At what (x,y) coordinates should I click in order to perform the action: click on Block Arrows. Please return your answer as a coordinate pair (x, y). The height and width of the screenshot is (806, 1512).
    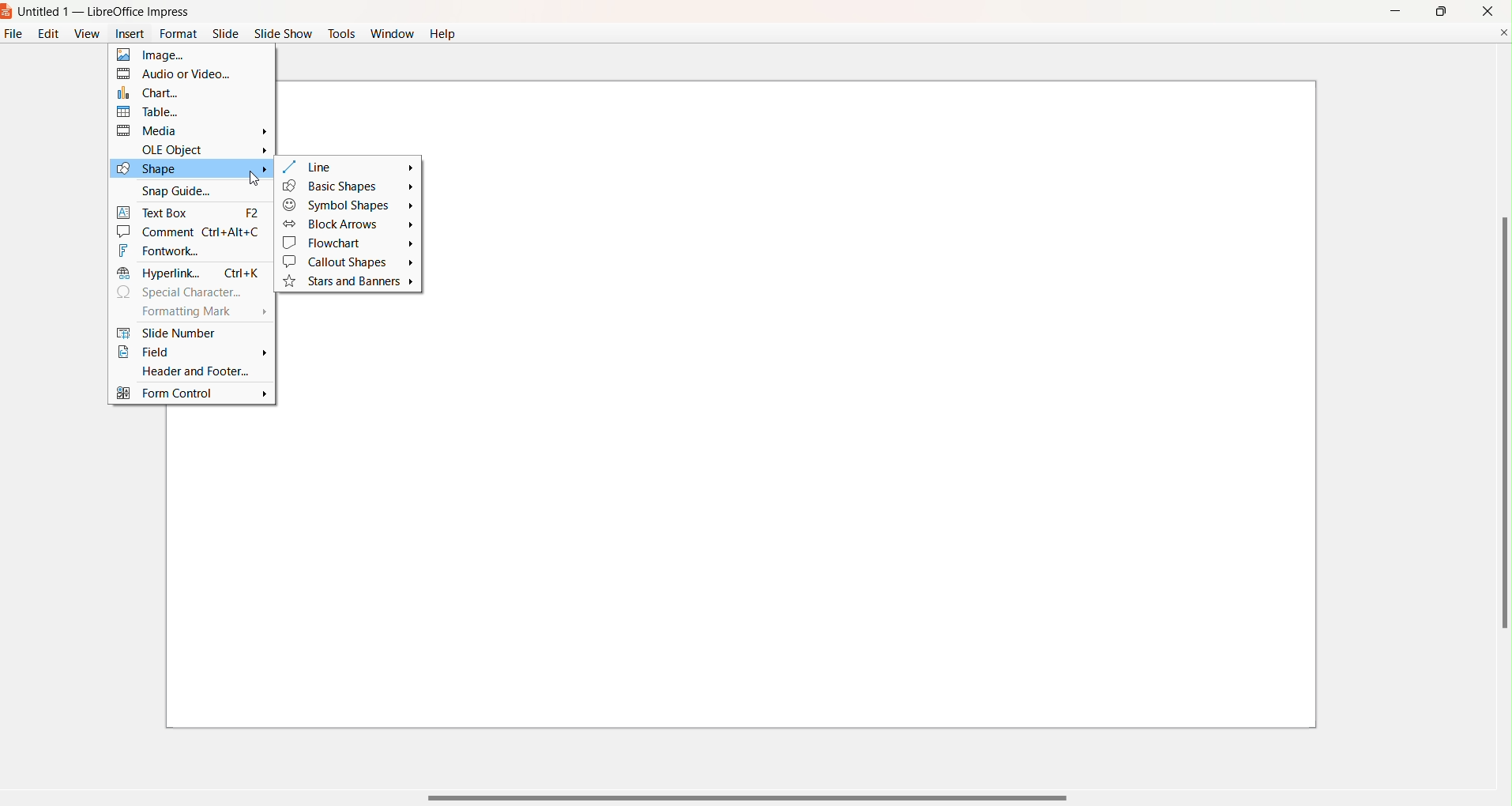
    Looking at the image, I should click on (348, 224).